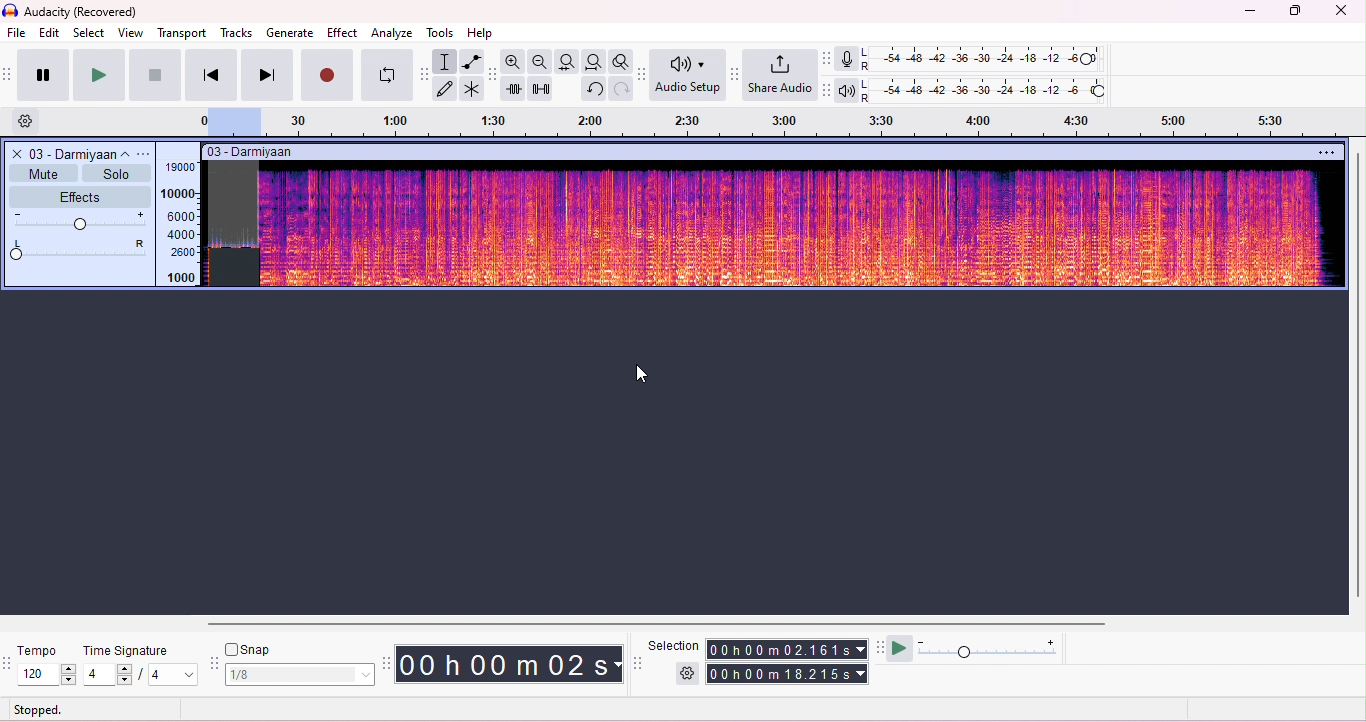  I want to click on close, so click(1340, 12).